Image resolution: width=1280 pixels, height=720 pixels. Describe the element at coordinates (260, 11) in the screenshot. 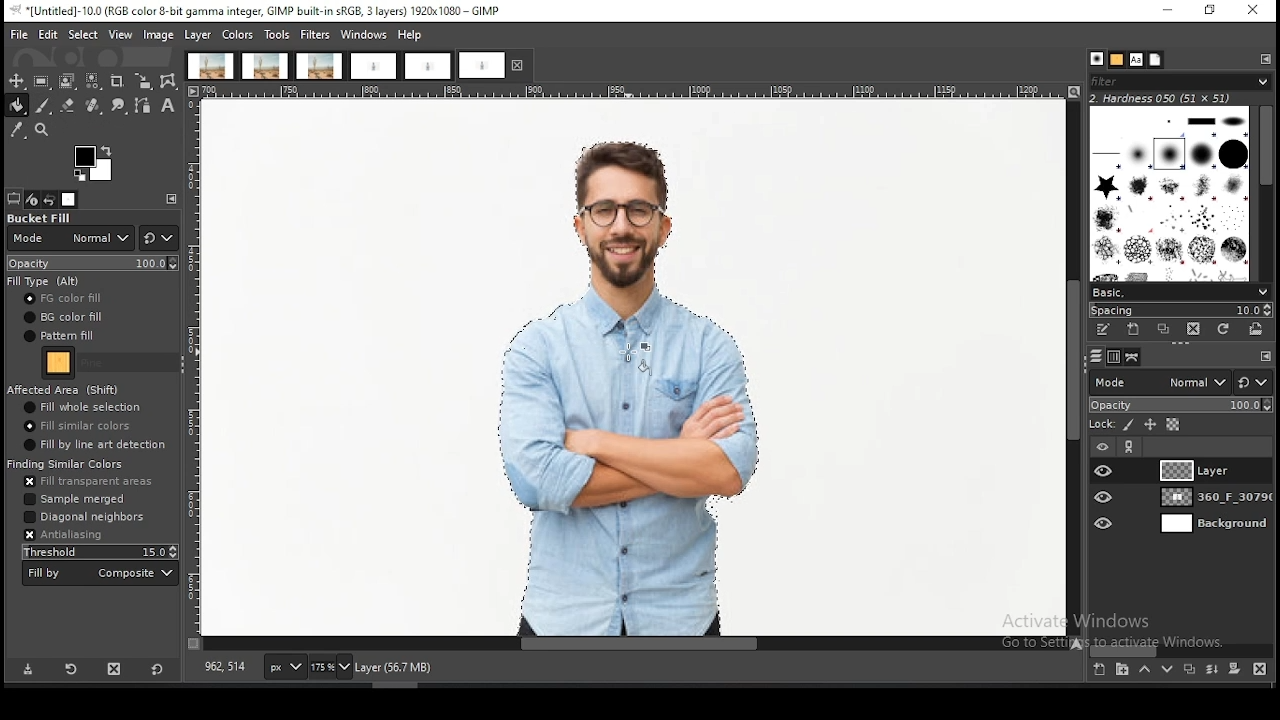

I see `*[Untitled]-10.0 (RGB color 8-bit gamma integer, GIMP built-in sRGB, 2 layers) 1920x1080 — GIMP` at that location.